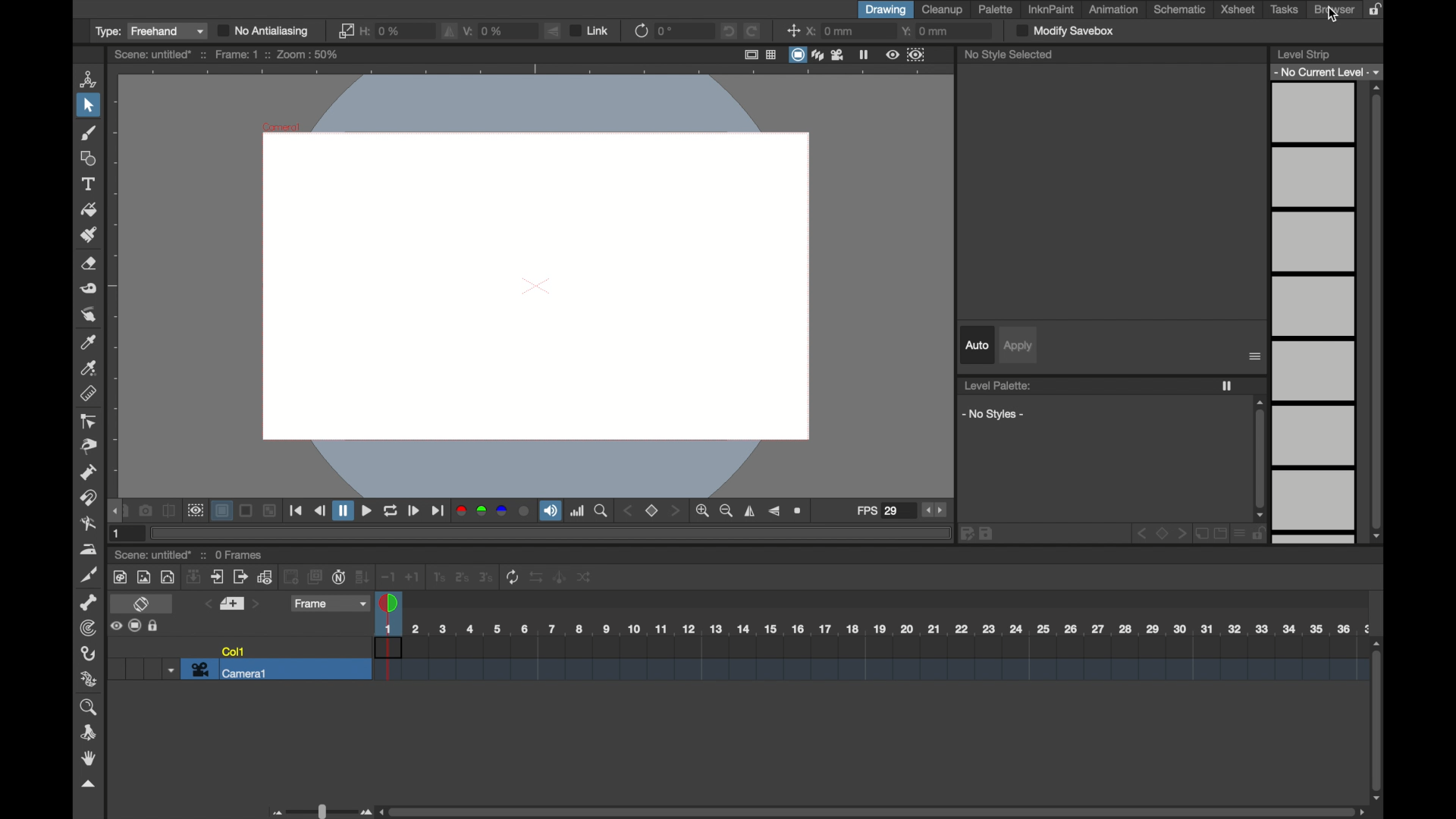 The image size is (1456, 819). Describe the element at coordinates (1306, 53) in the screenshot. I see `level strip` at that location.